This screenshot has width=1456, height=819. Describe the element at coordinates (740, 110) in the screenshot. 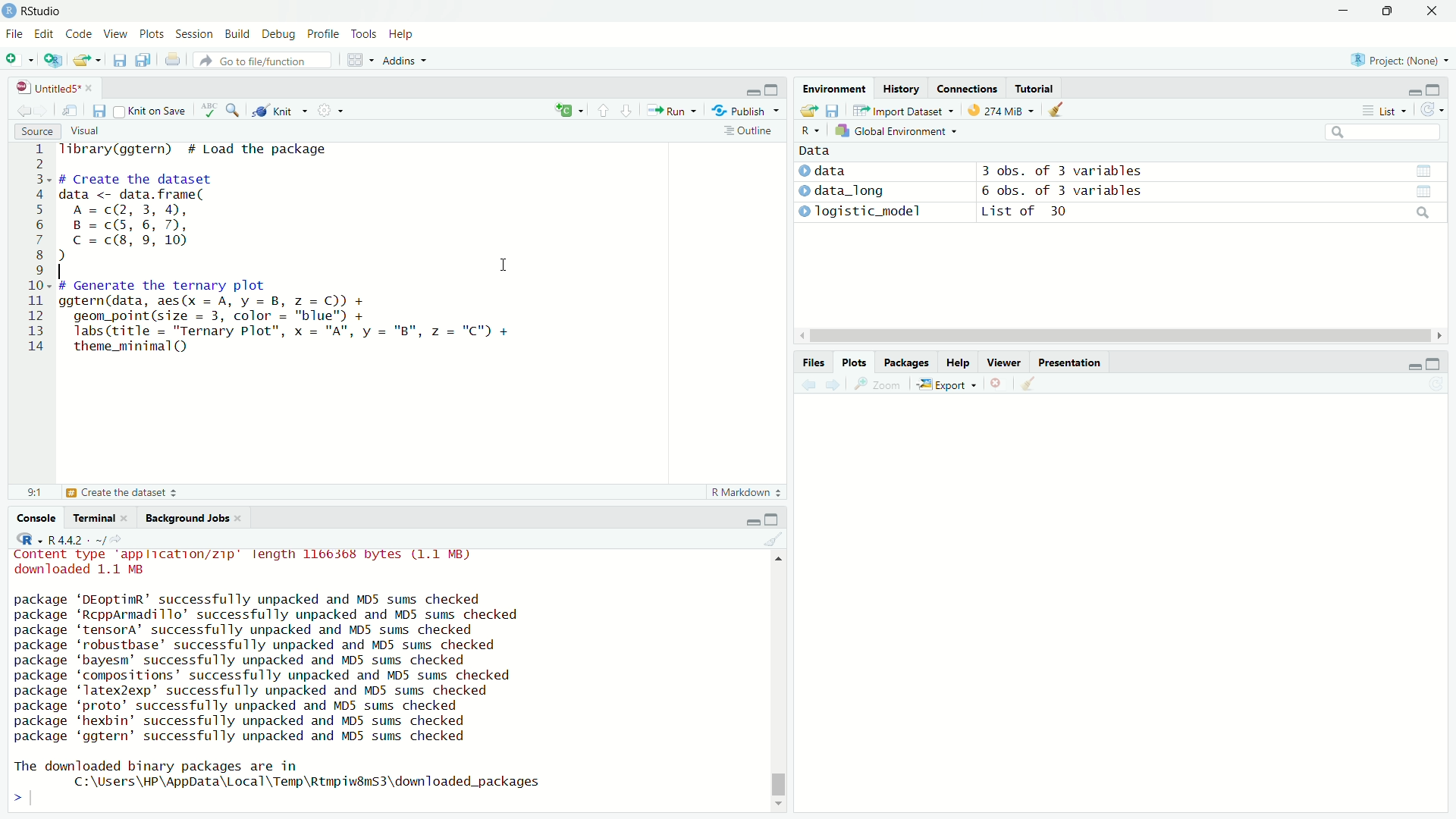

I see `» Publish` at that location.